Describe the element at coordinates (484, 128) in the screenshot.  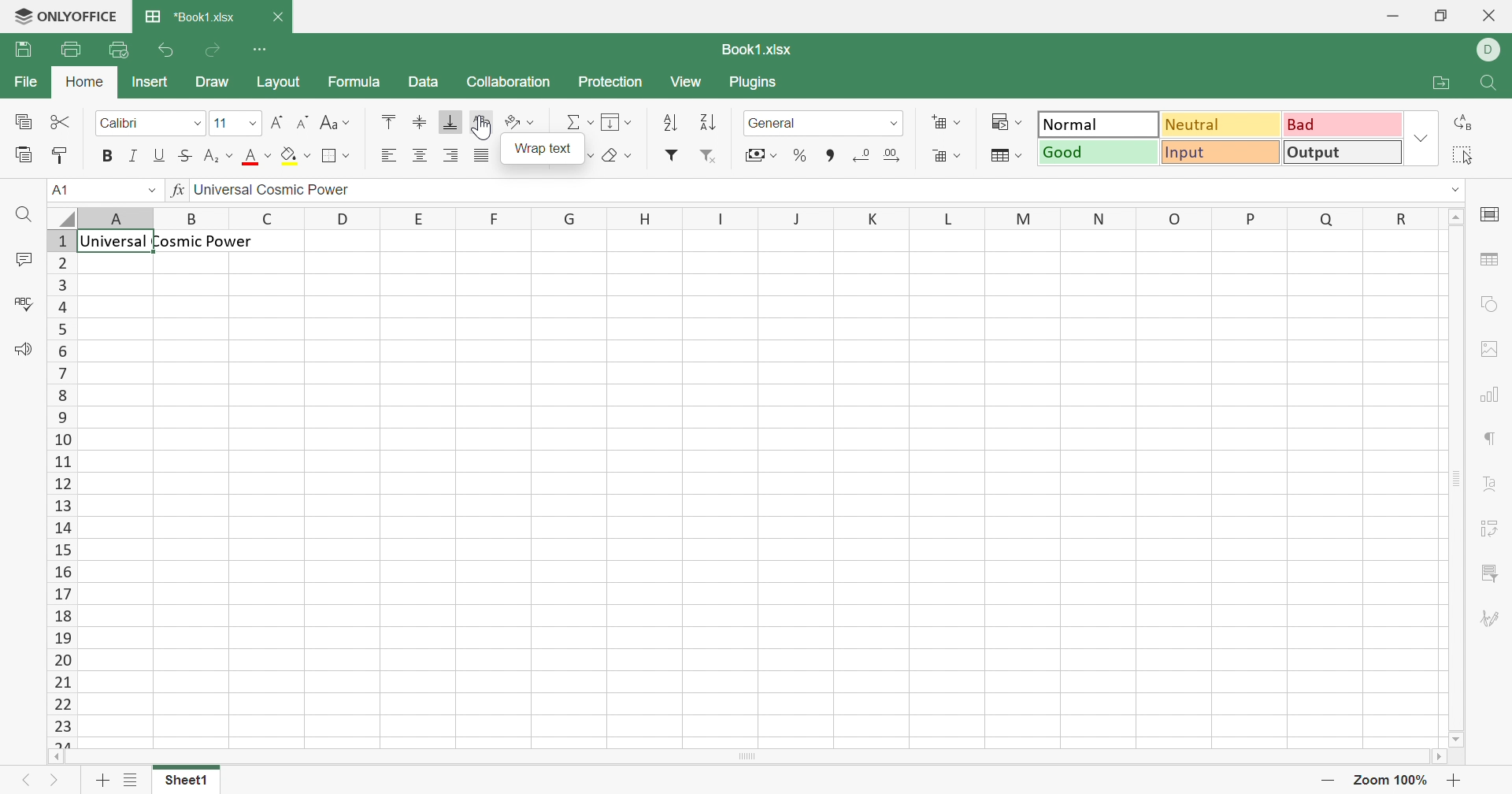
I see `Cursor` at that location.